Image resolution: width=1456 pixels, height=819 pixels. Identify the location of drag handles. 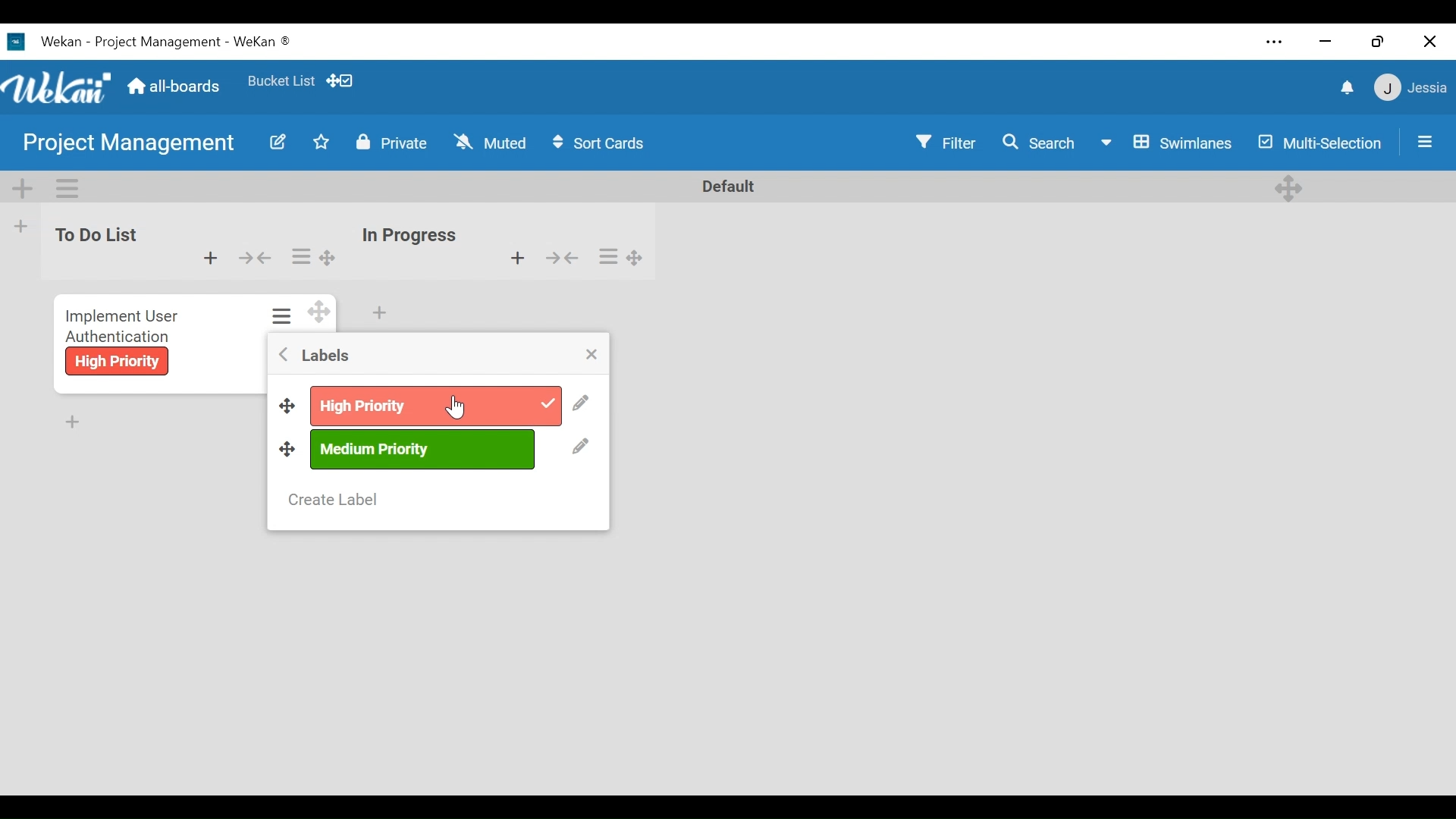
(287, 449).